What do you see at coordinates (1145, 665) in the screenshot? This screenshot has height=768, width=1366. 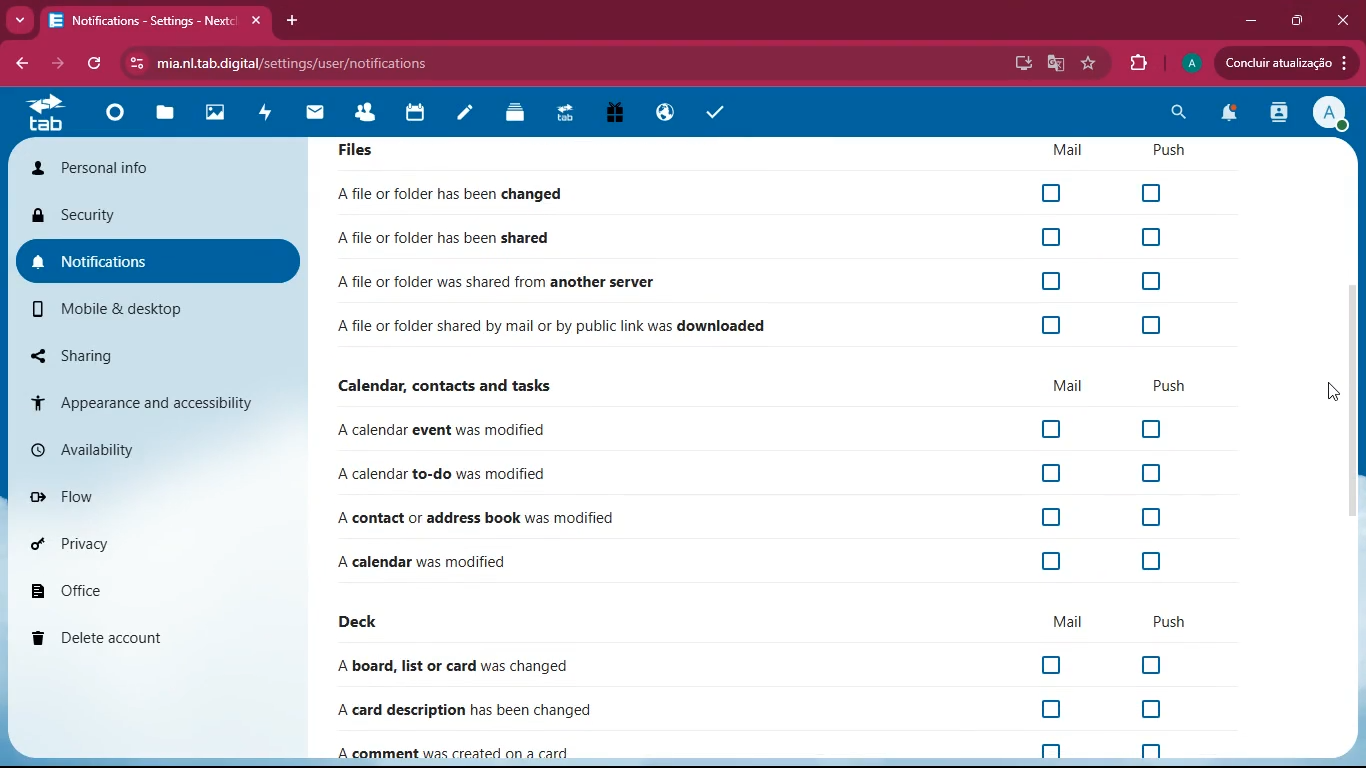 I see `off` at bounding box center [1145, 665].